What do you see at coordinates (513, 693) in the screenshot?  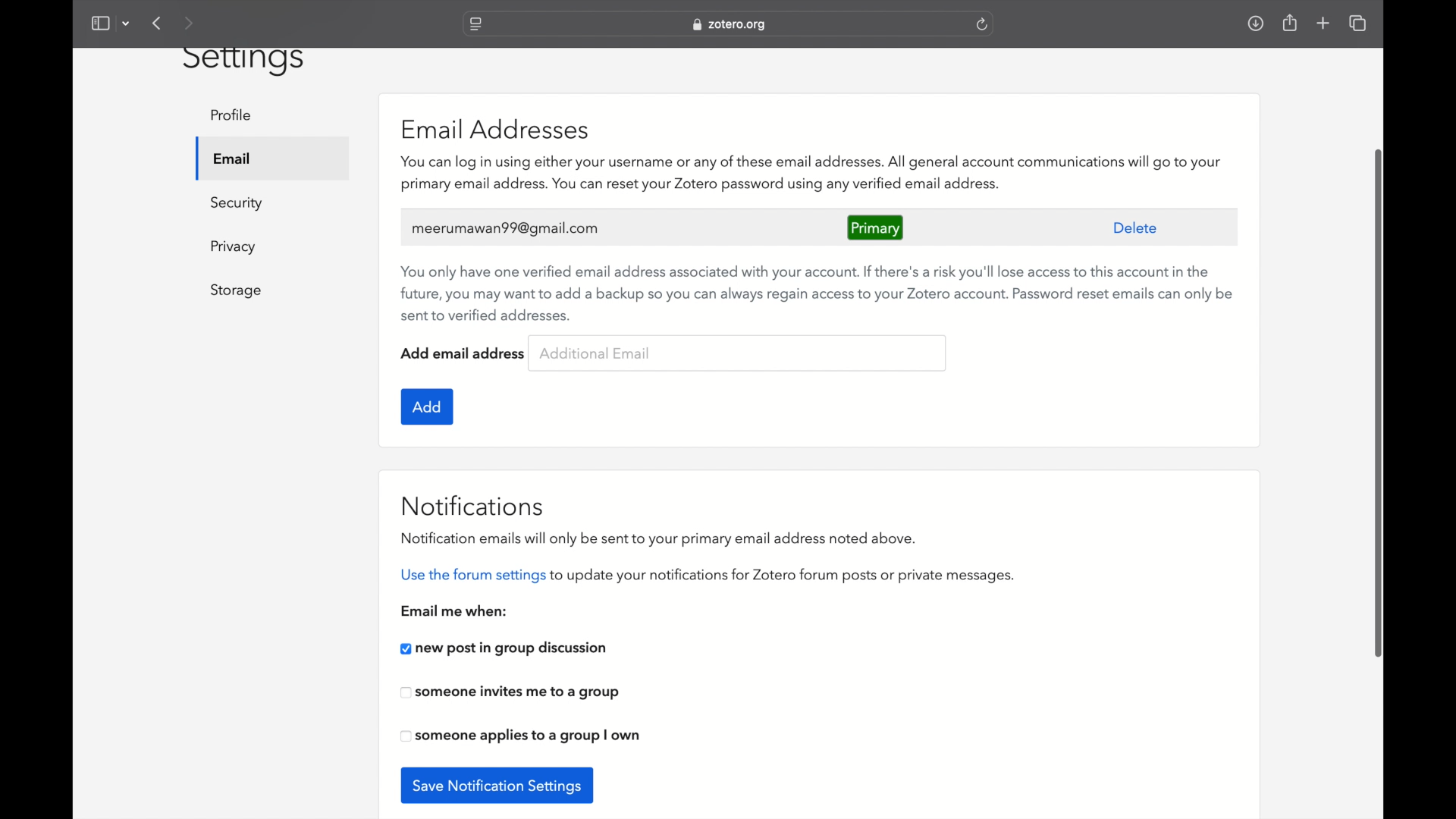 I see `checkbox` at bounding box center [513, 693].